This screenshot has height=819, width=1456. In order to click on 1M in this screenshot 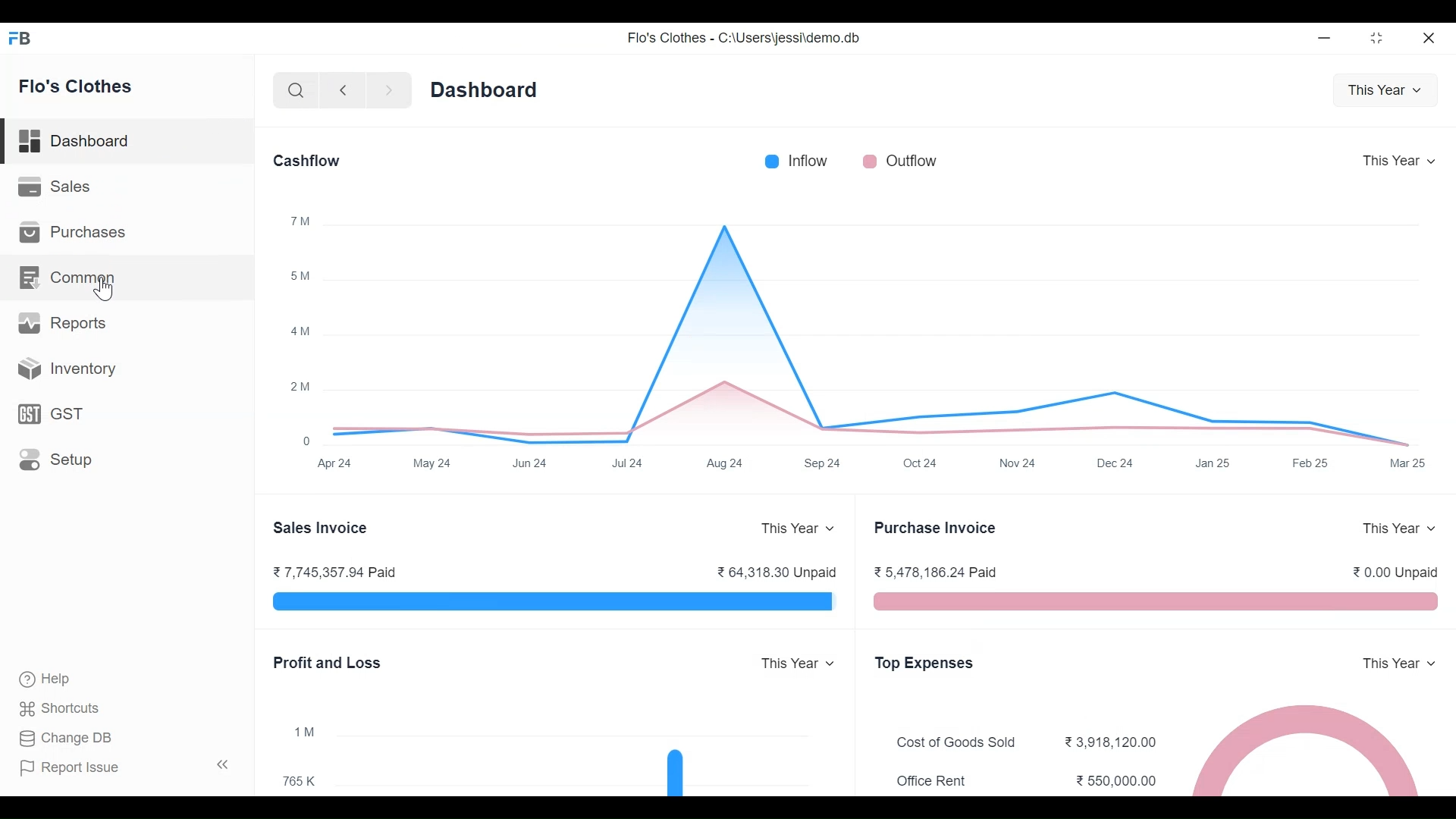, I will do `click(305, 732)`.